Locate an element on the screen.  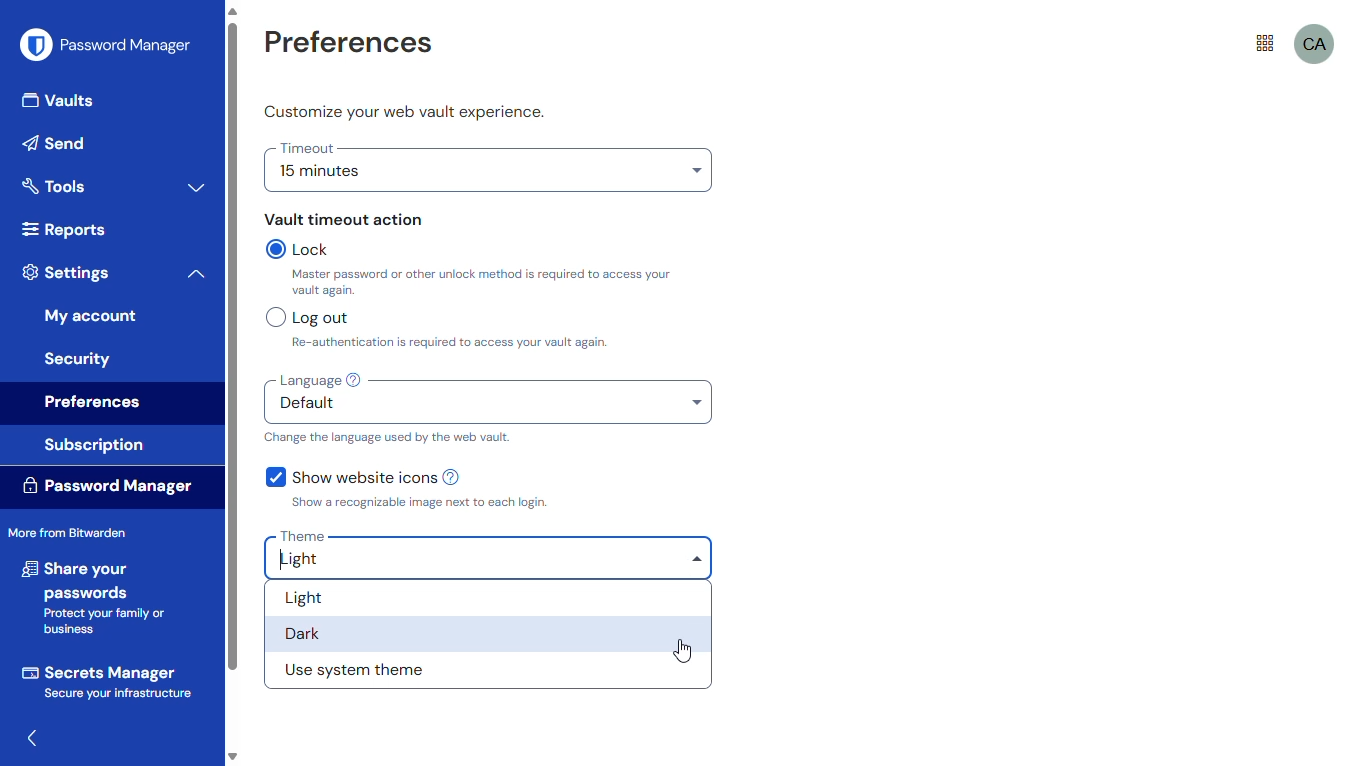
preferences is located at coordinates (94, 404).